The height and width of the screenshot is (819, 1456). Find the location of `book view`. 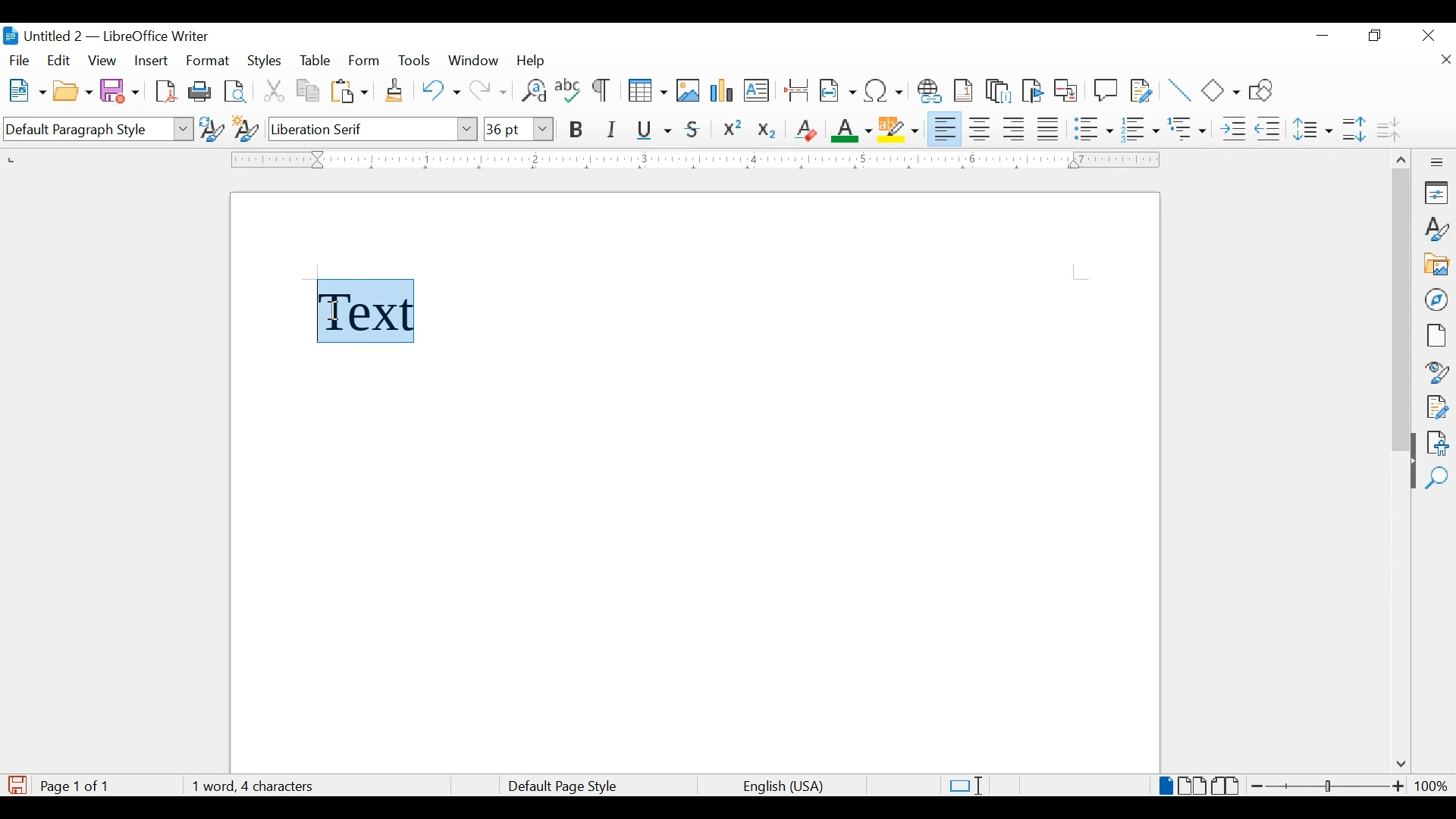

book view is located at coordinates (1228, 786).